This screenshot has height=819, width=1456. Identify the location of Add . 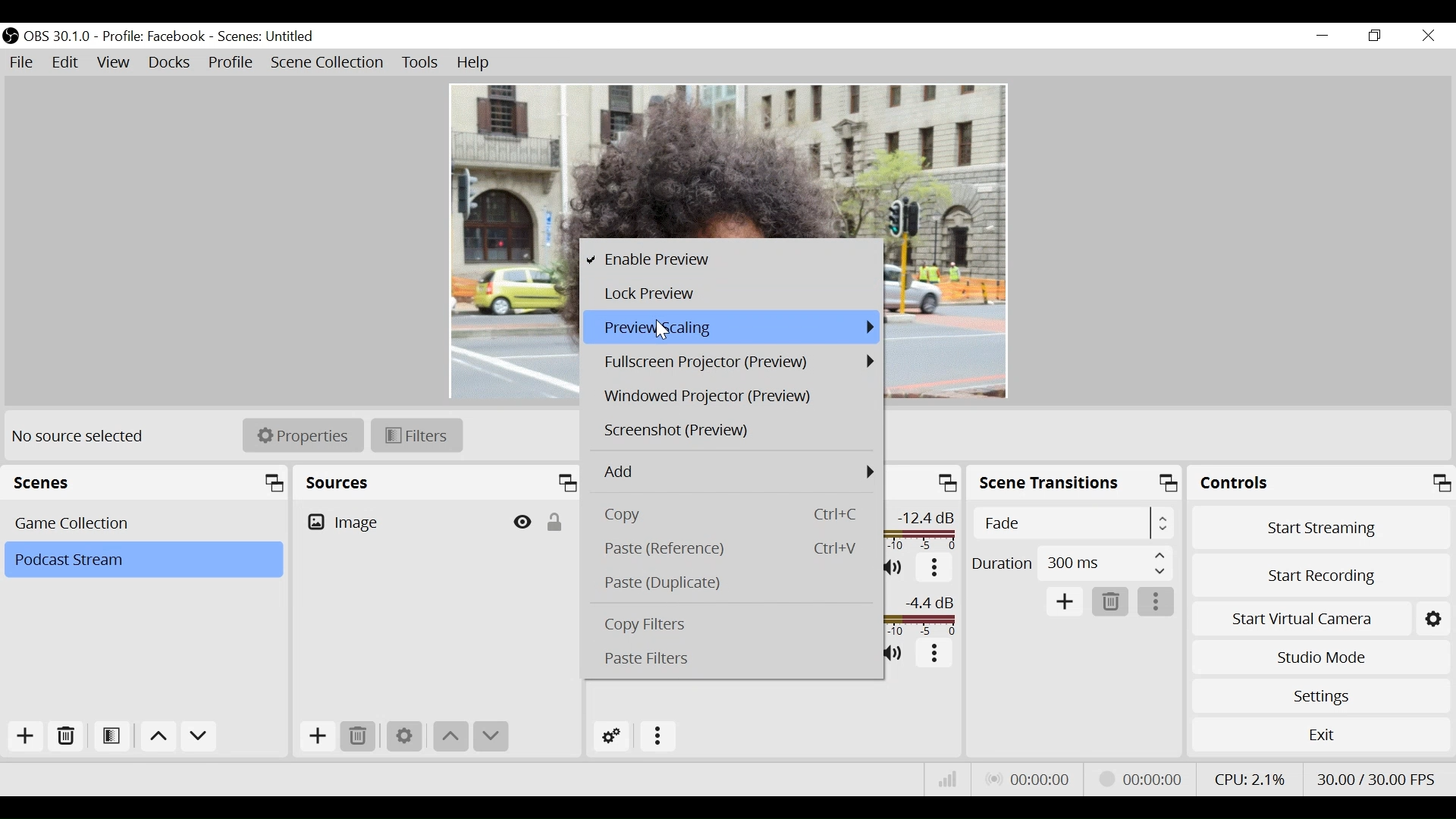
(1066, 601).